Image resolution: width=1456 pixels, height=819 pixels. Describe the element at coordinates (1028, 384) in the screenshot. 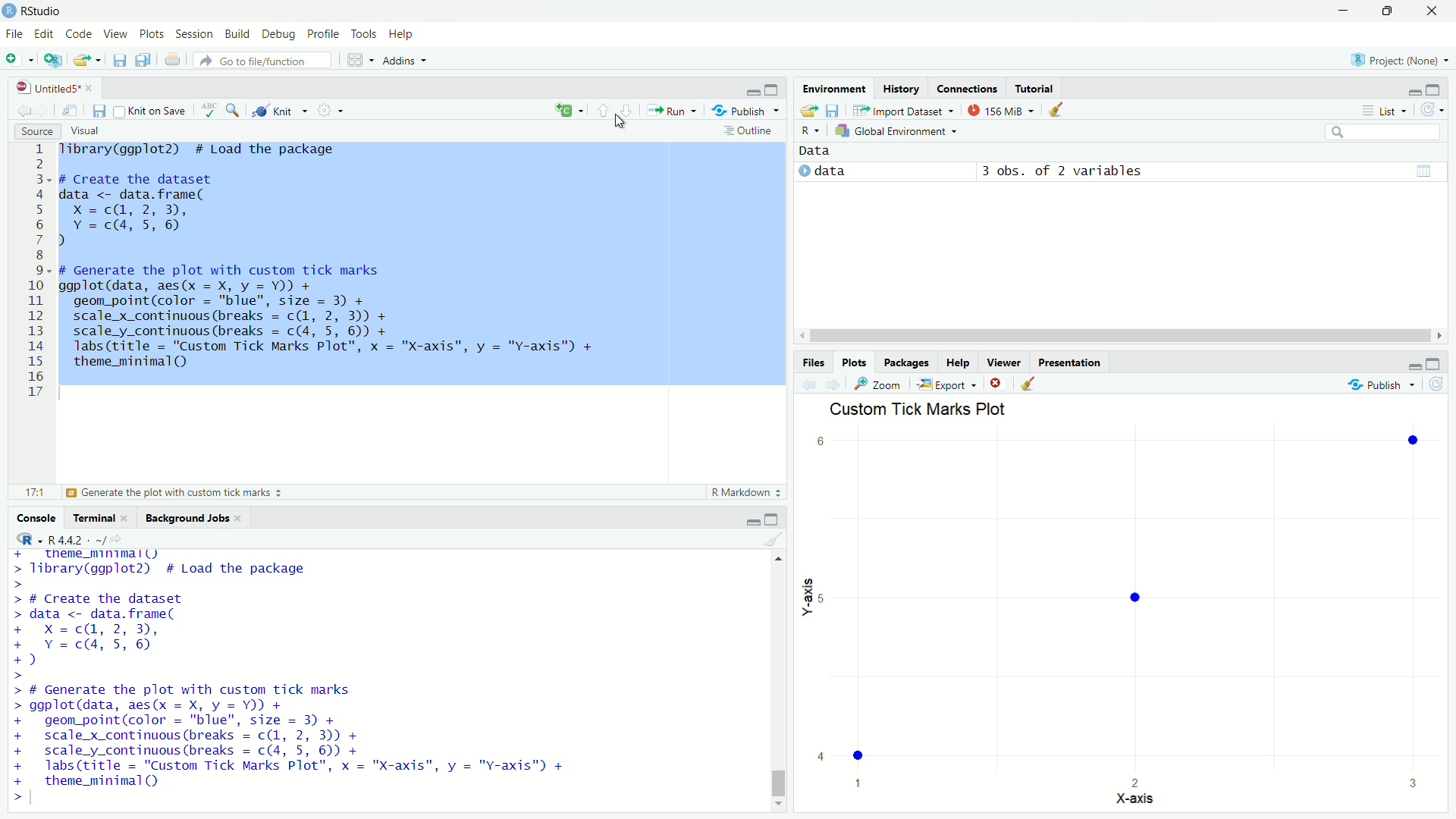

I see `clear all plots` at that location.